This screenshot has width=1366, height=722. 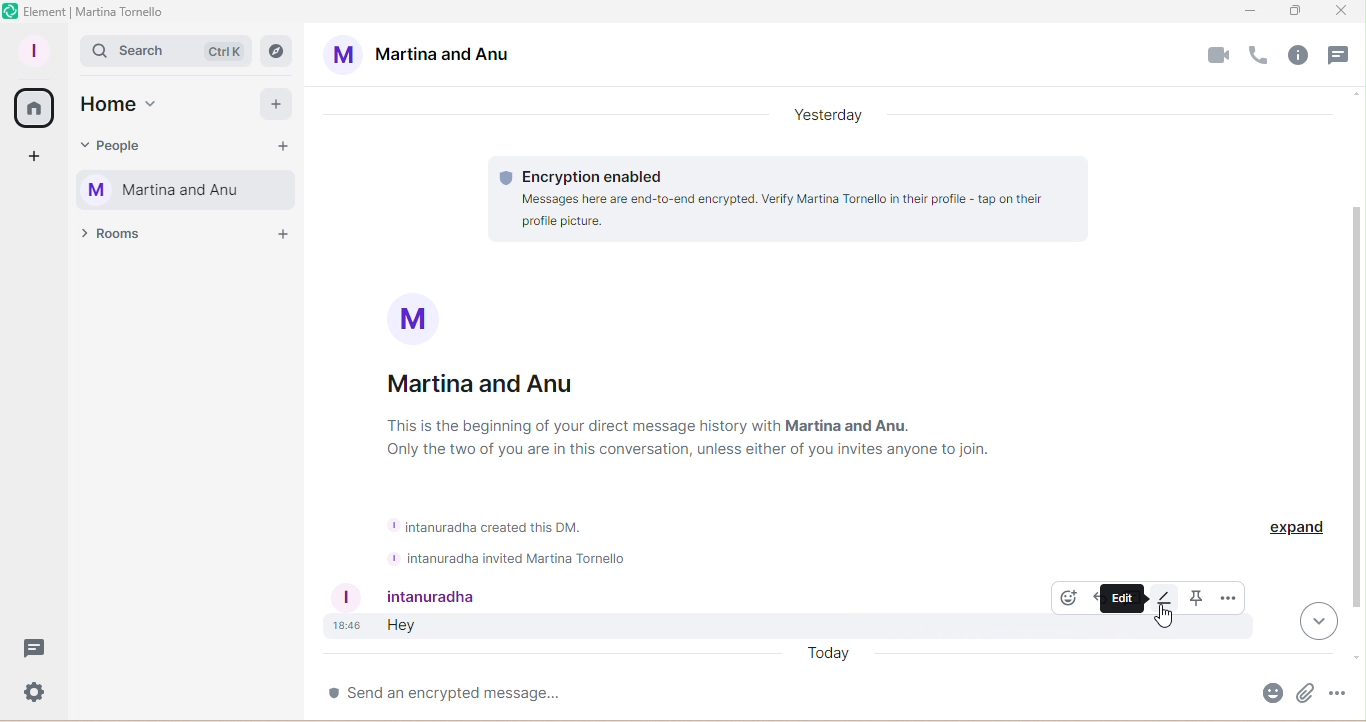 I want to click on Add a room, so click(x=282, y=238).